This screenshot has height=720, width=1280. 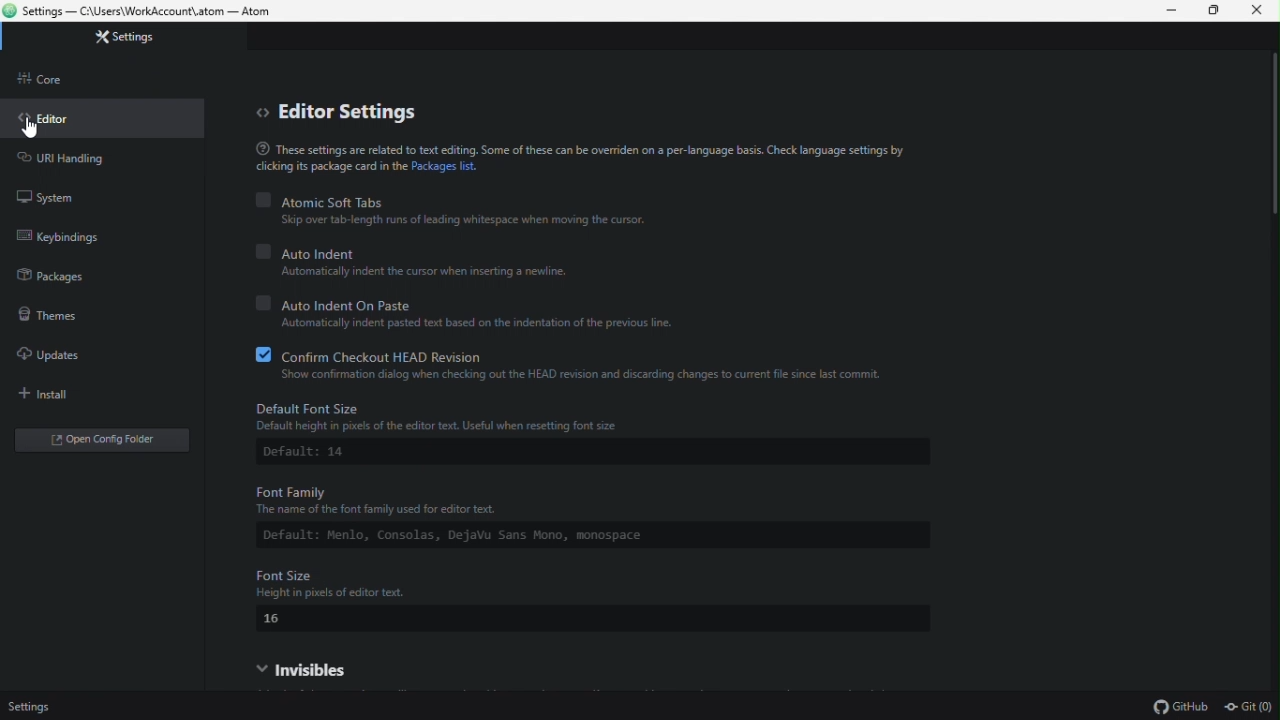 What do you see at coordinates (66, 82) in the screenshot?
I see `Core` at bounding box center [66, 82].